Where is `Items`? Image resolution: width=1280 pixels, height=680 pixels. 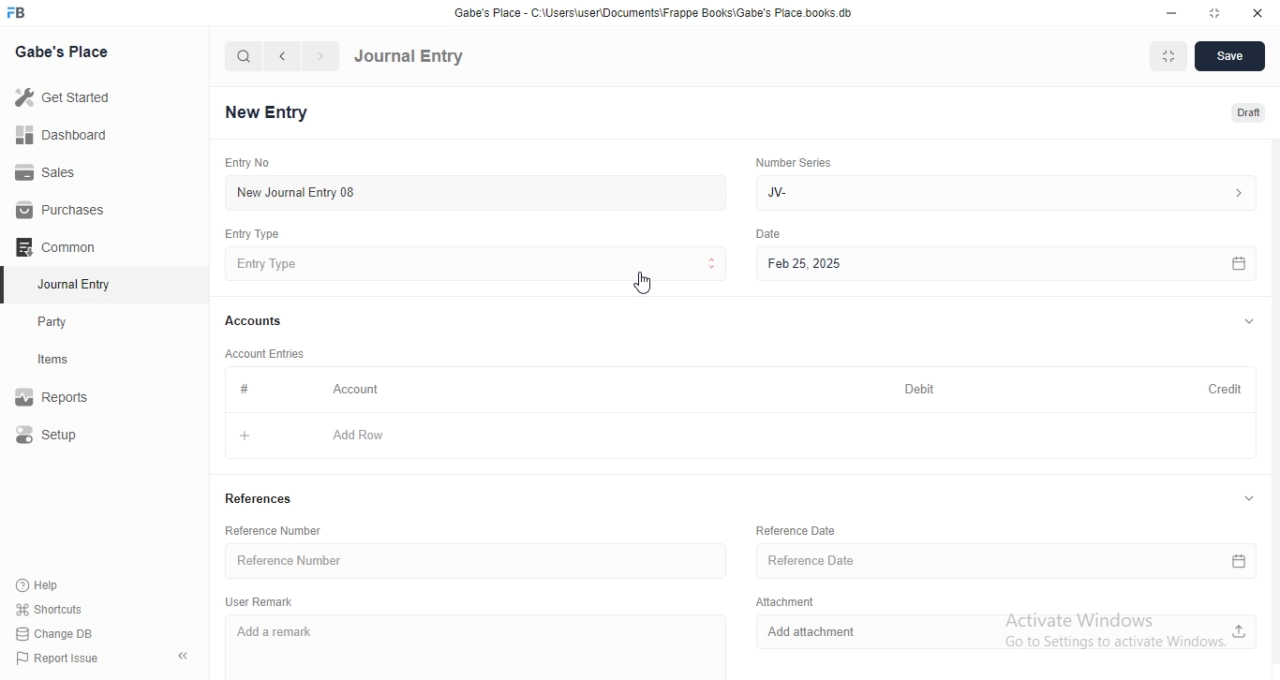 Items is located at coordinates (72, 361).